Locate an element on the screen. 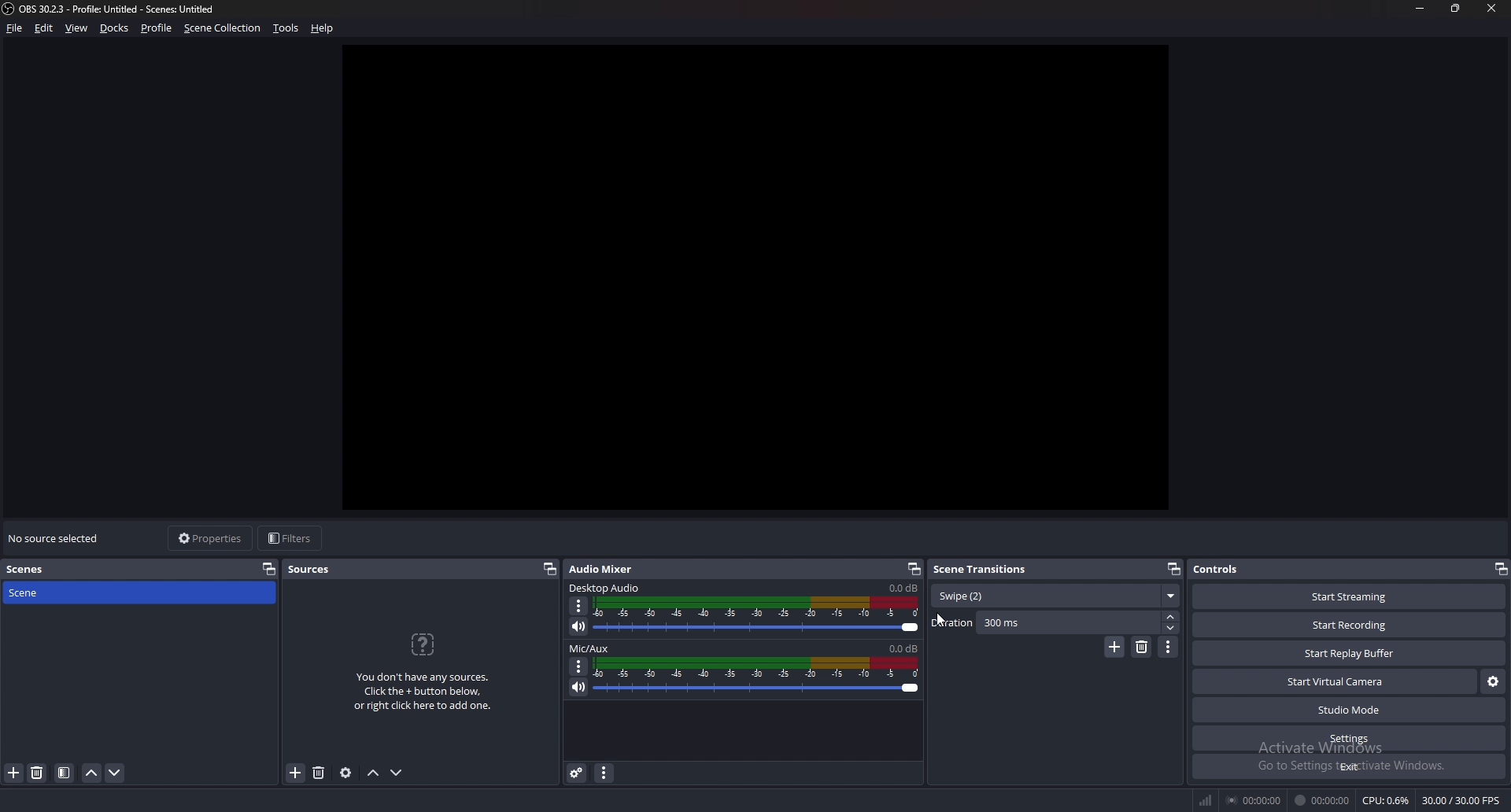  exit is located at coordinates (1348, 766).